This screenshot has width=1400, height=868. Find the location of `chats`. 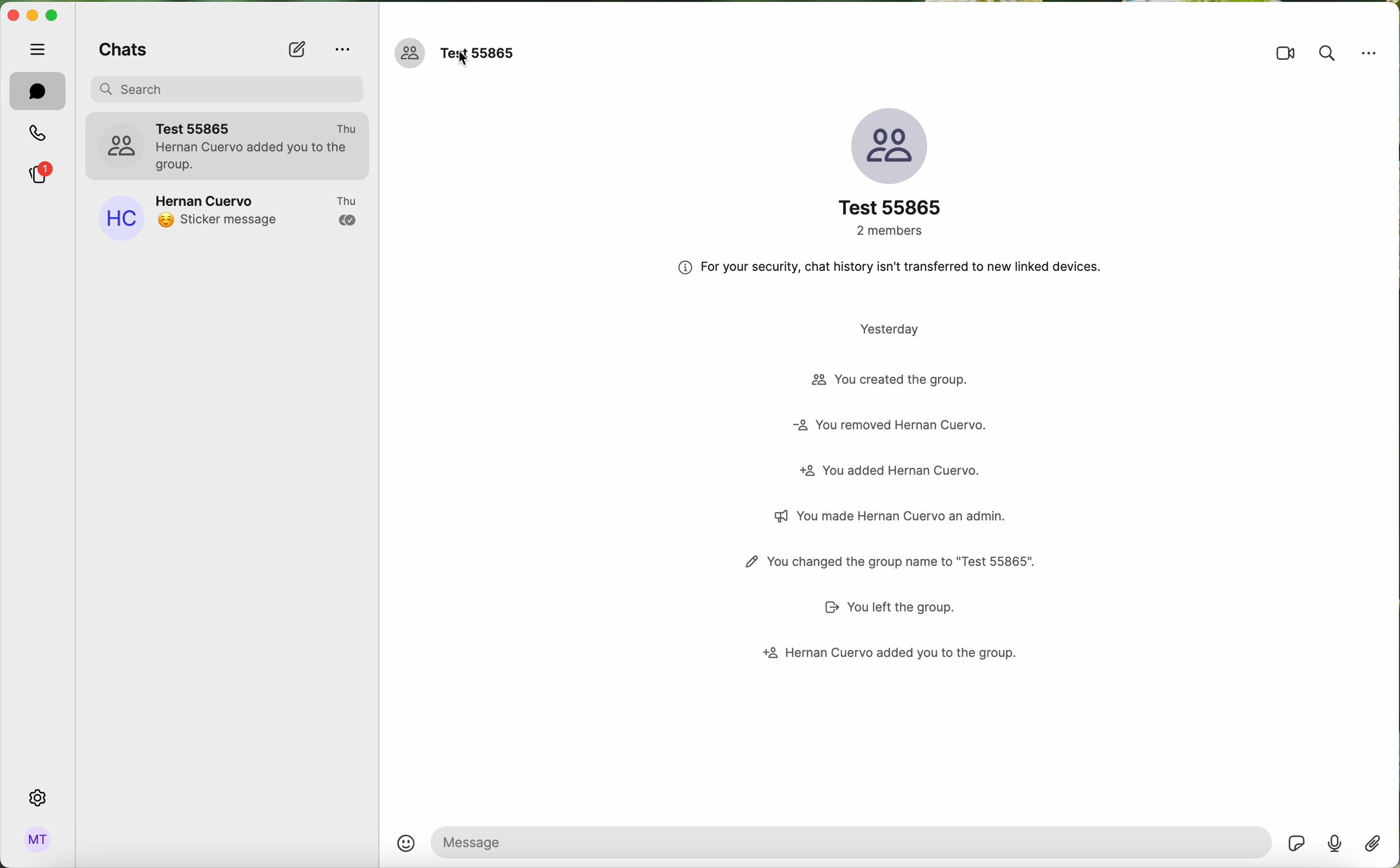

chats is located at coordinates (120, 49).